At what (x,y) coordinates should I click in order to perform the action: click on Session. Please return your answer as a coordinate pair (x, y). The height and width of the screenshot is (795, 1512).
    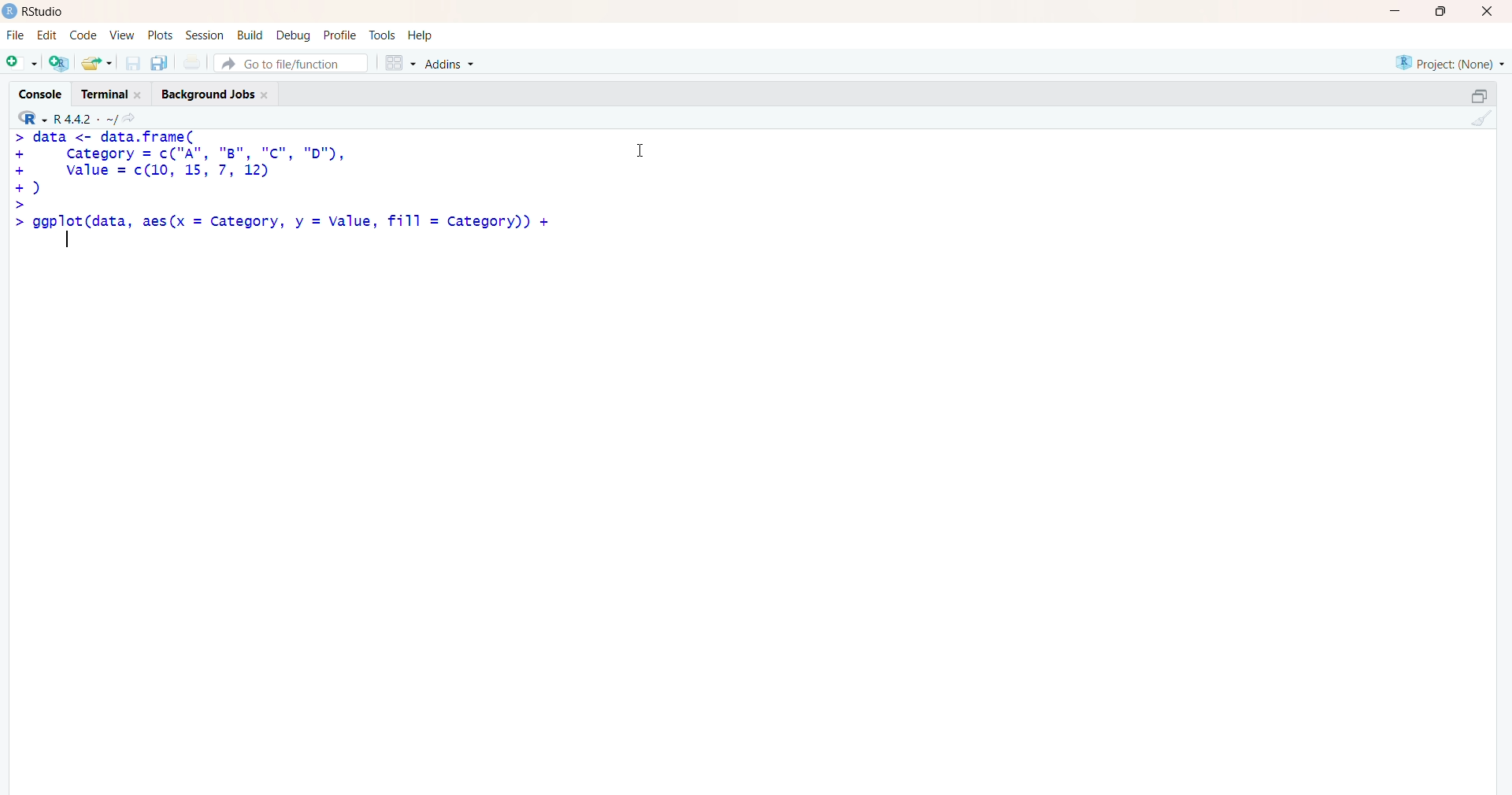
    Looking at the image, I should click on (205, 35).